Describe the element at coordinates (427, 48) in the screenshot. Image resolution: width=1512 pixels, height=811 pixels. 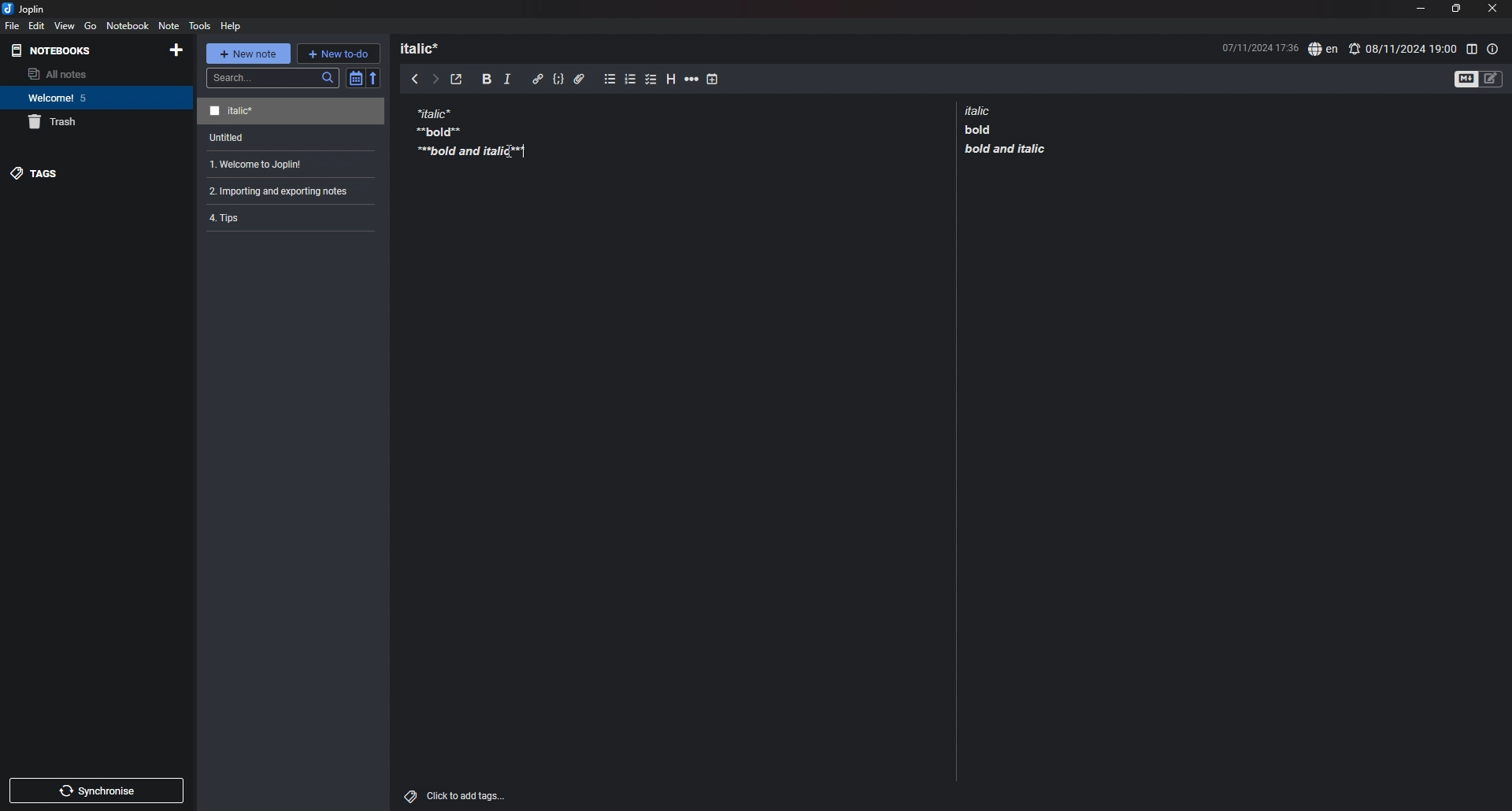
I see `heading` at that location.